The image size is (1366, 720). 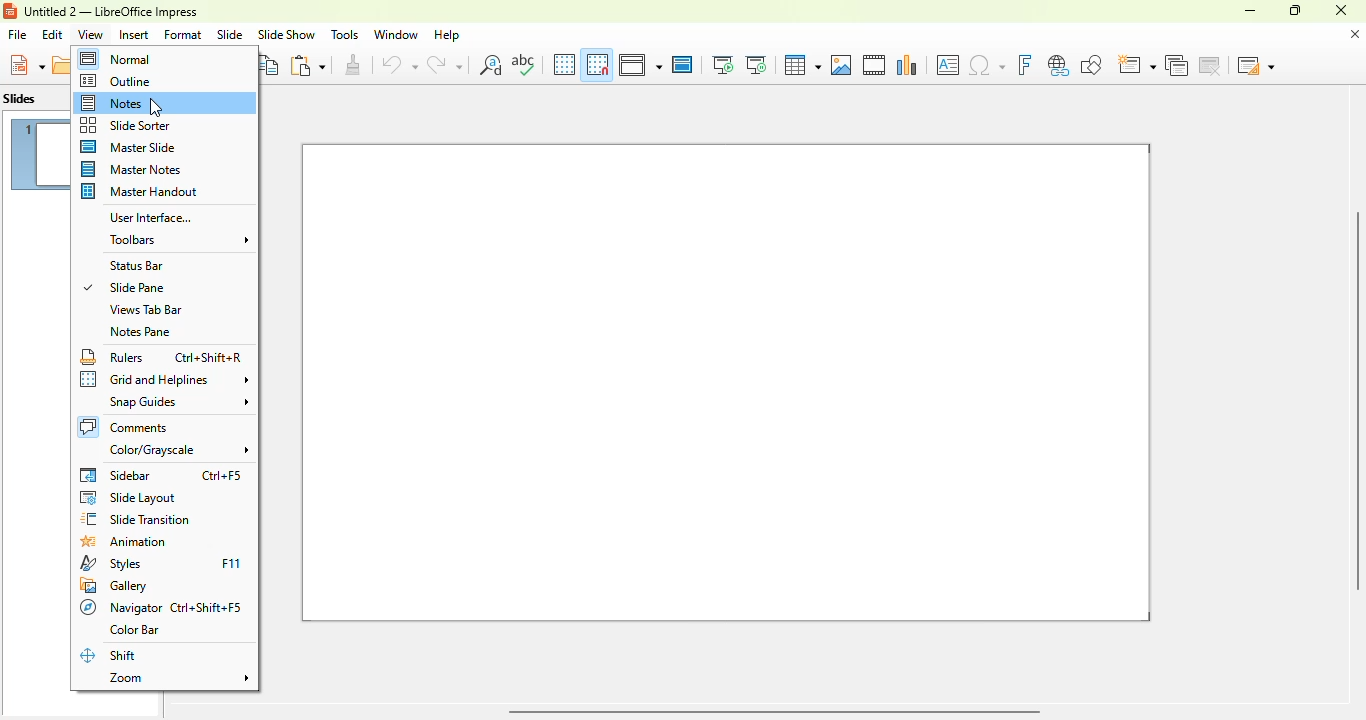 What do you see at coordinates (1354, 34) in the screenshot?
I see `close document` at bounding box center [1354, 34].